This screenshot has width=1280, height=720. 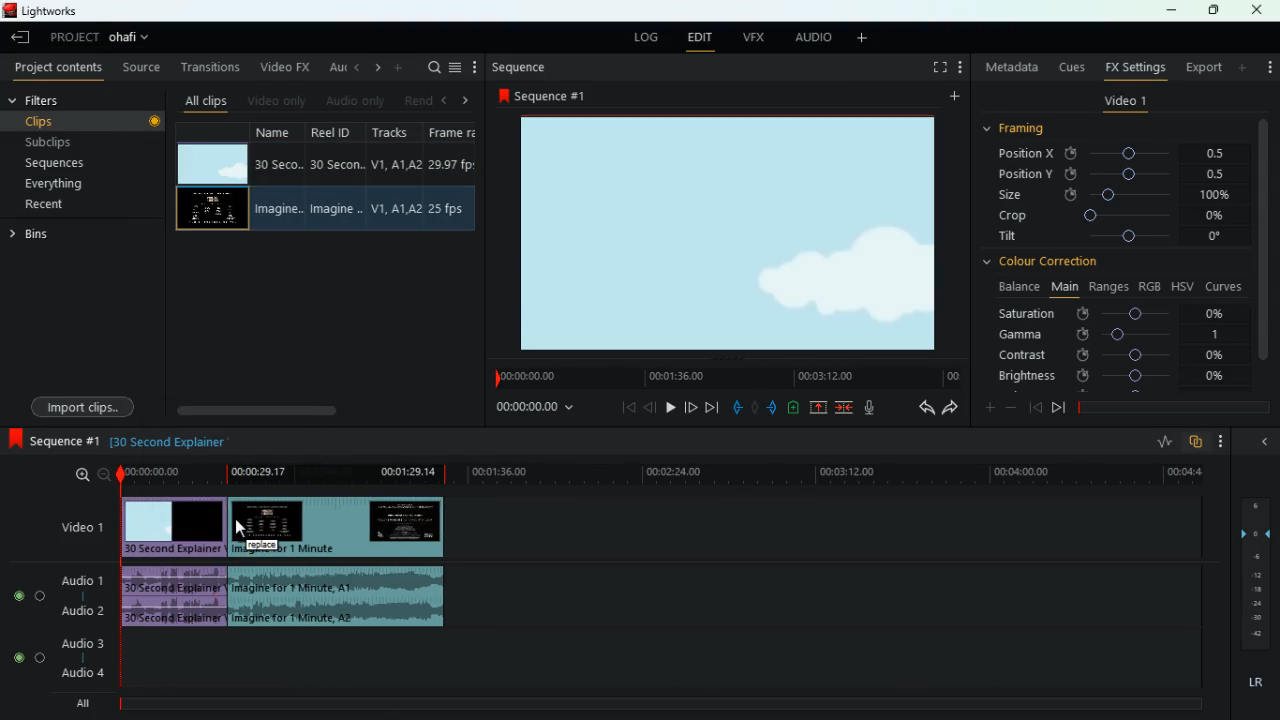 What do you see at coordinates (55, 442) in the screenshot?
I see `sequence` at bounding box center [55, 442].